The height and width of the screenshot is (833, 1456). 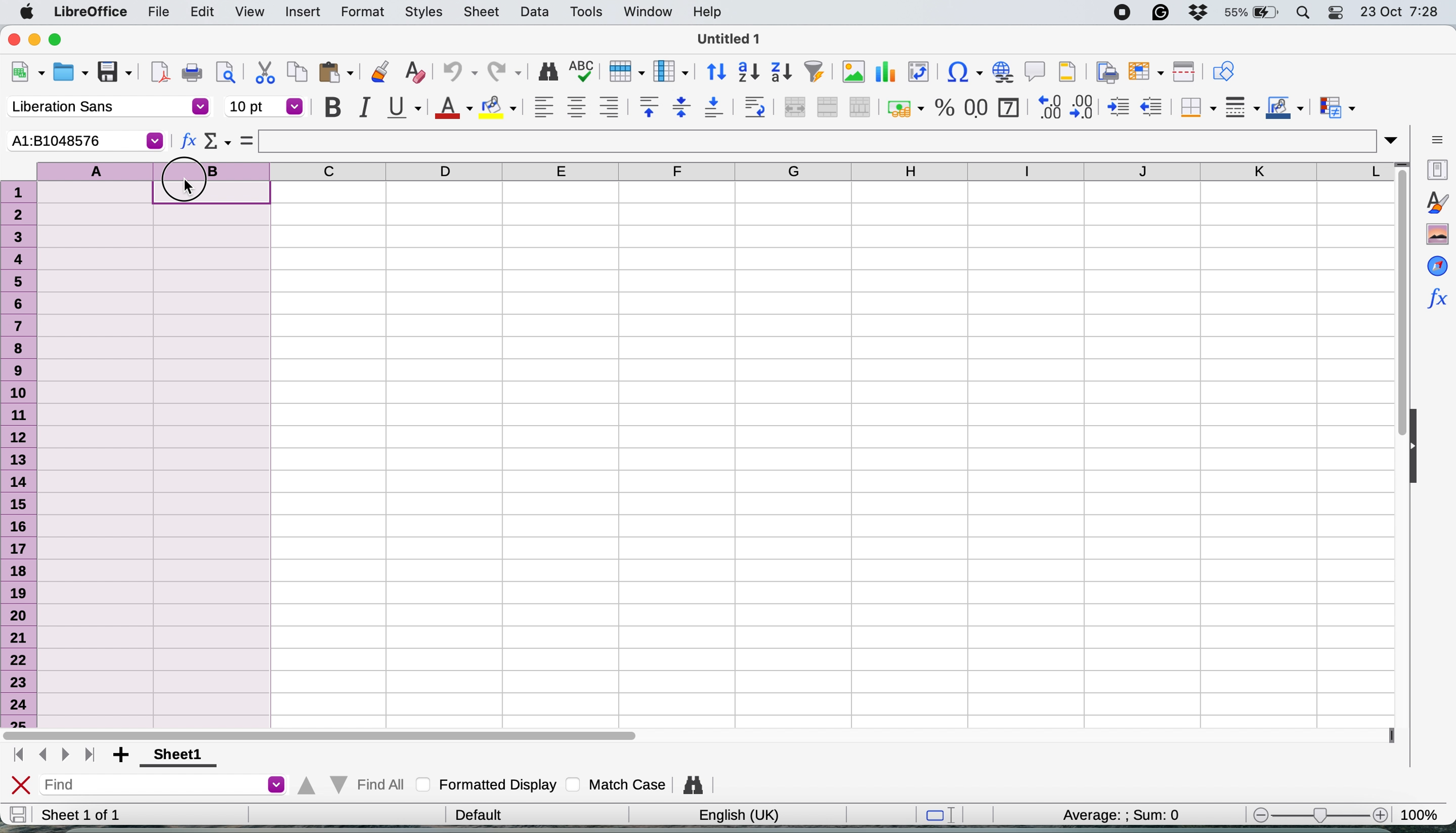 What do you see at coordinates (1049, 106) in the screenshot?
I see `add decimal` at bounding box center [1049, 106].